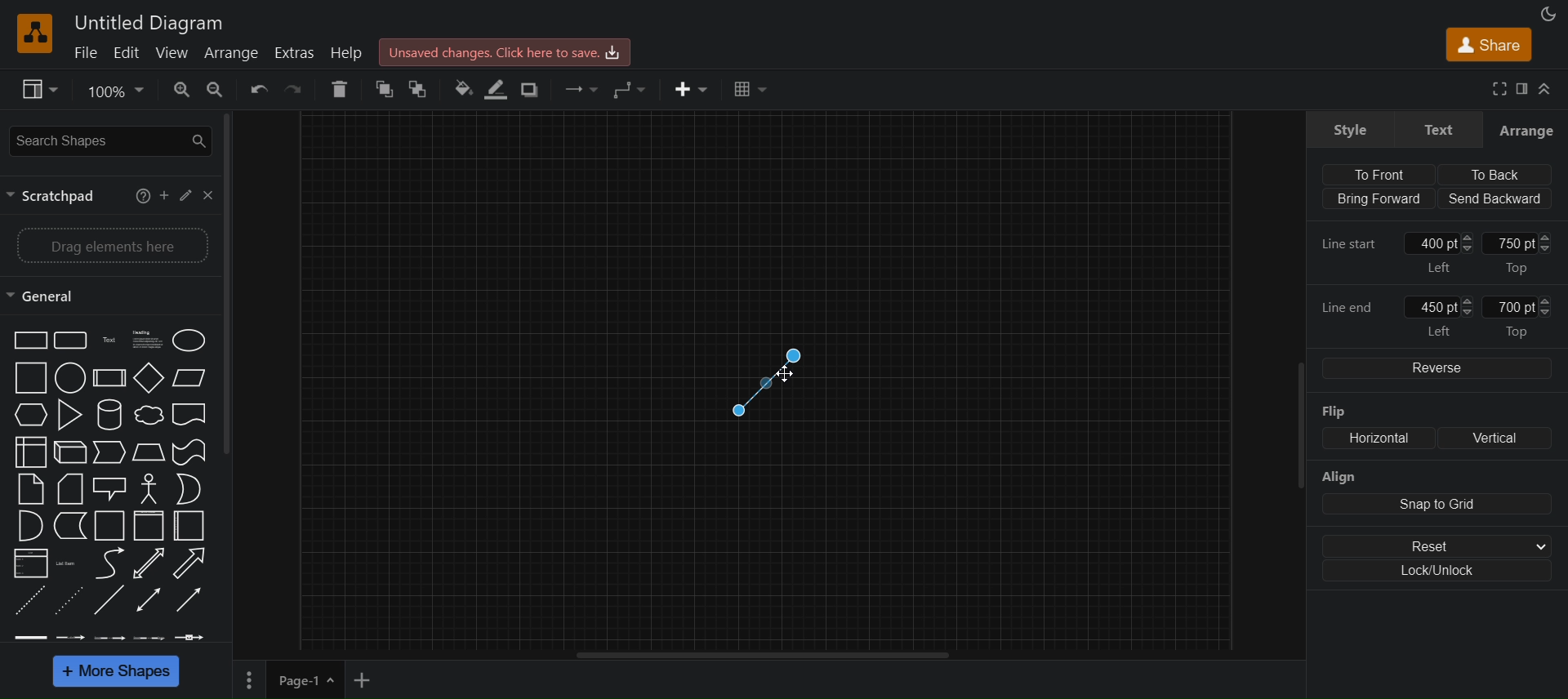  What do you see at coordinates (148, 525) in the screenshot?
I see `Vertical container` at bounding box center [148, 525].